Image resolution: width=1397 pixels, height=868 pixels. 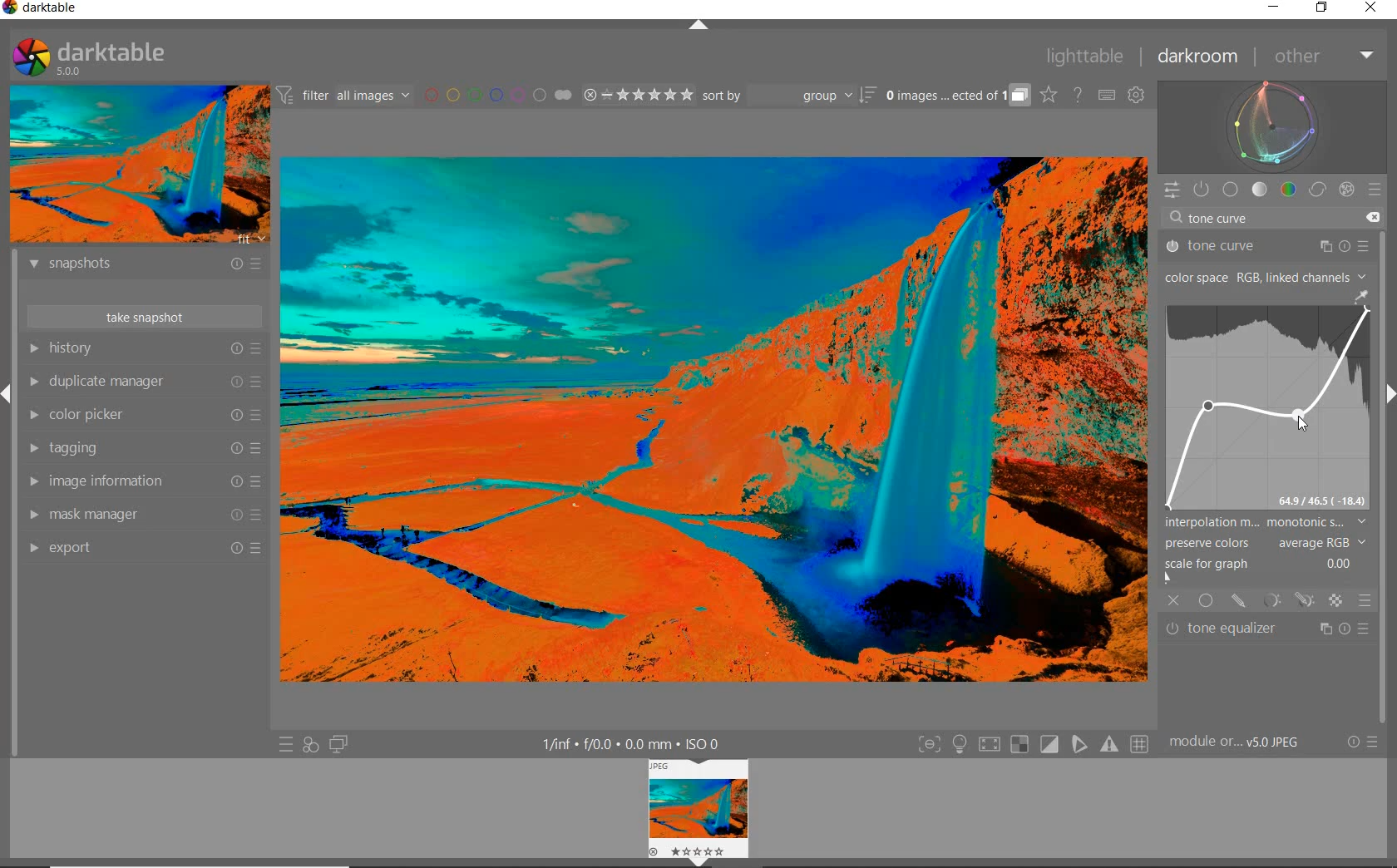 I want to click on SCALE FOR GRAPH, so click(x=1261, y=572).